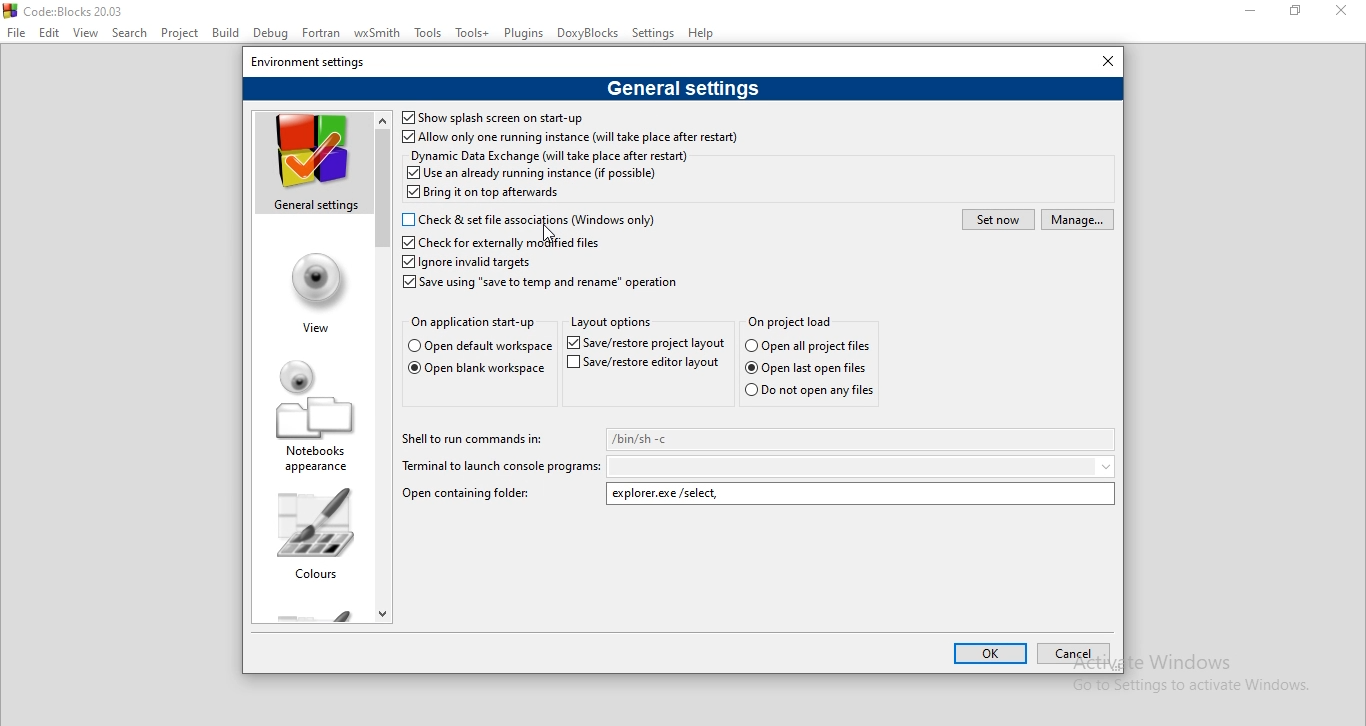  Describe the element at coordinates (815, 368) in the screenshot. I see `Open last open files` at that location.